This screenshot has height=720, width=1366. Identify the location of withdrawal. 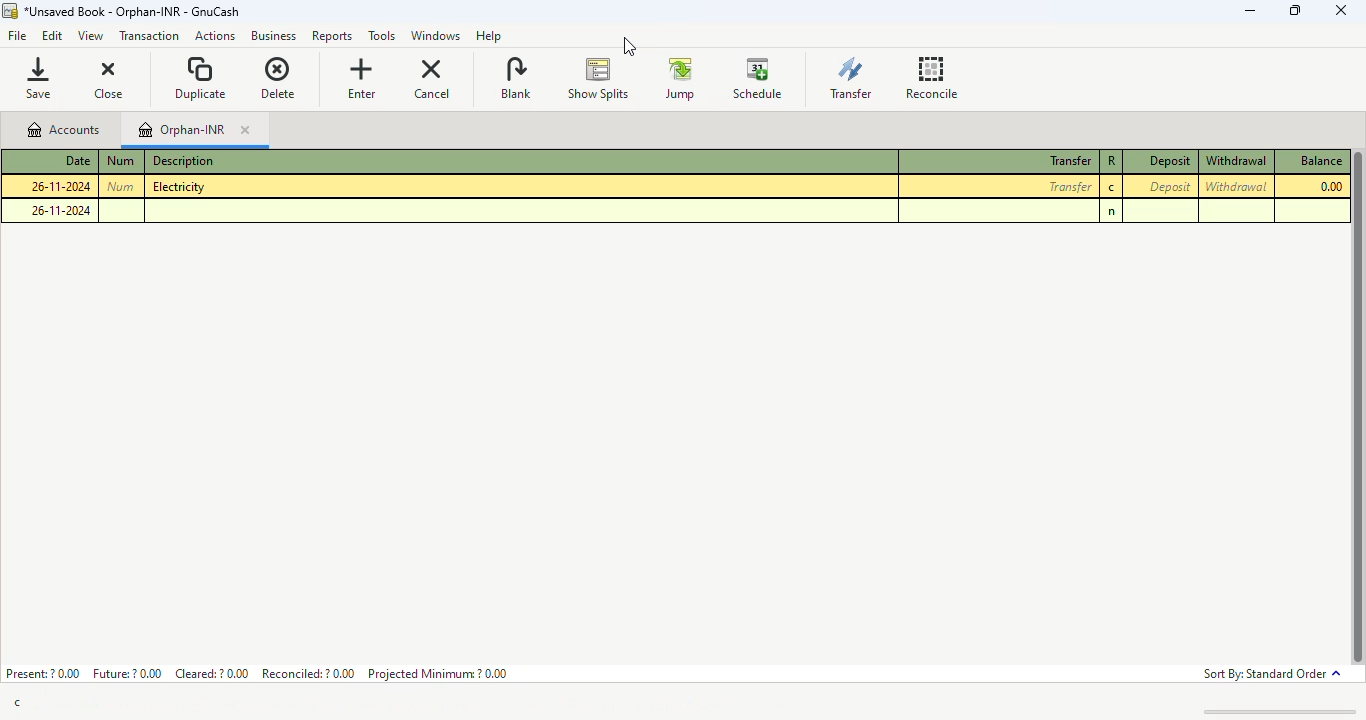
(1237, 161).